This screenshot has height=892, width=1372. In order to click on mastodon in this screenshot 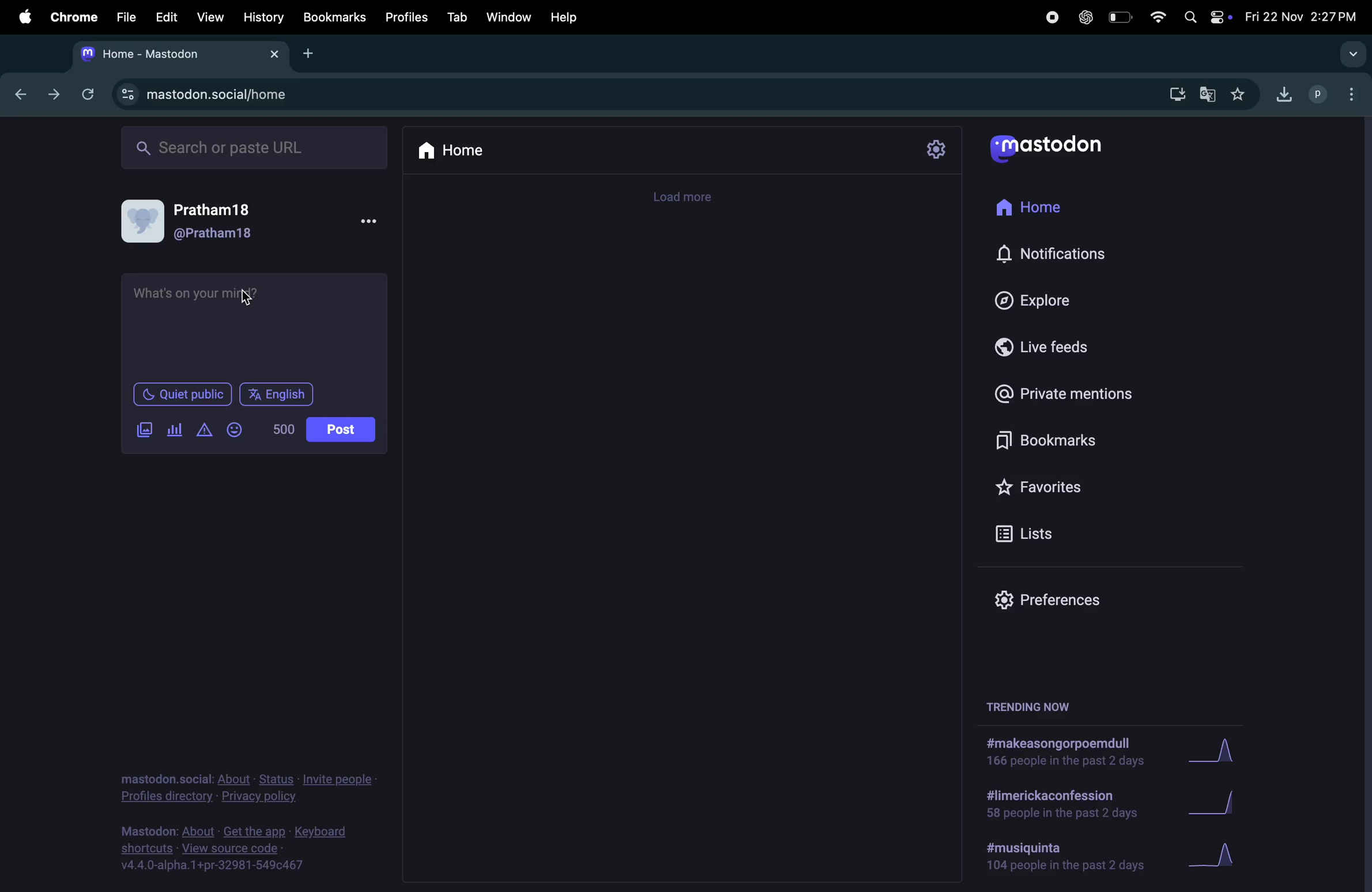, I will do `click(1053, 149)`.